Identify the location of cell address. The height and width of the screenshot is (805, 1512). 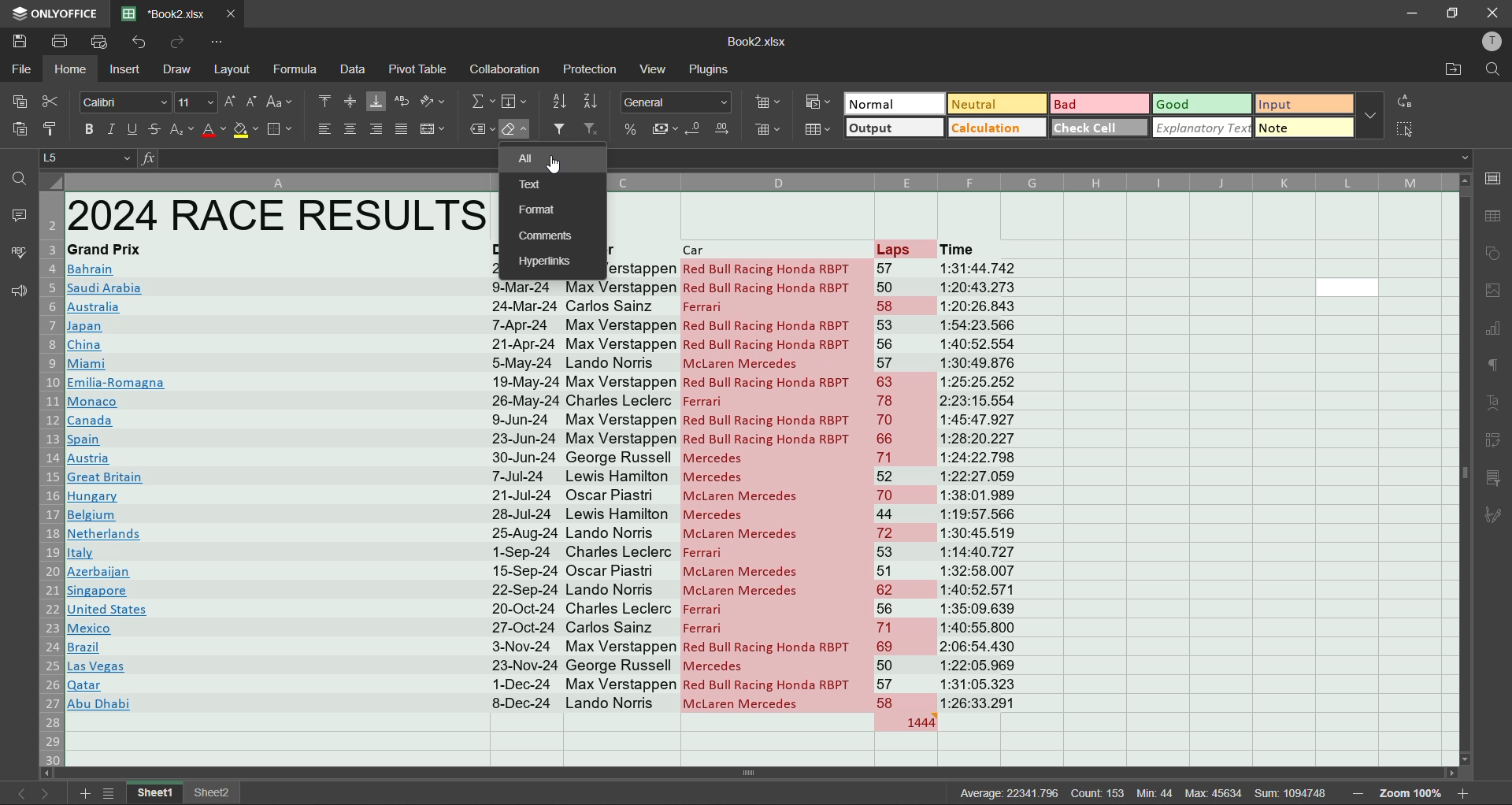
(91, 158).